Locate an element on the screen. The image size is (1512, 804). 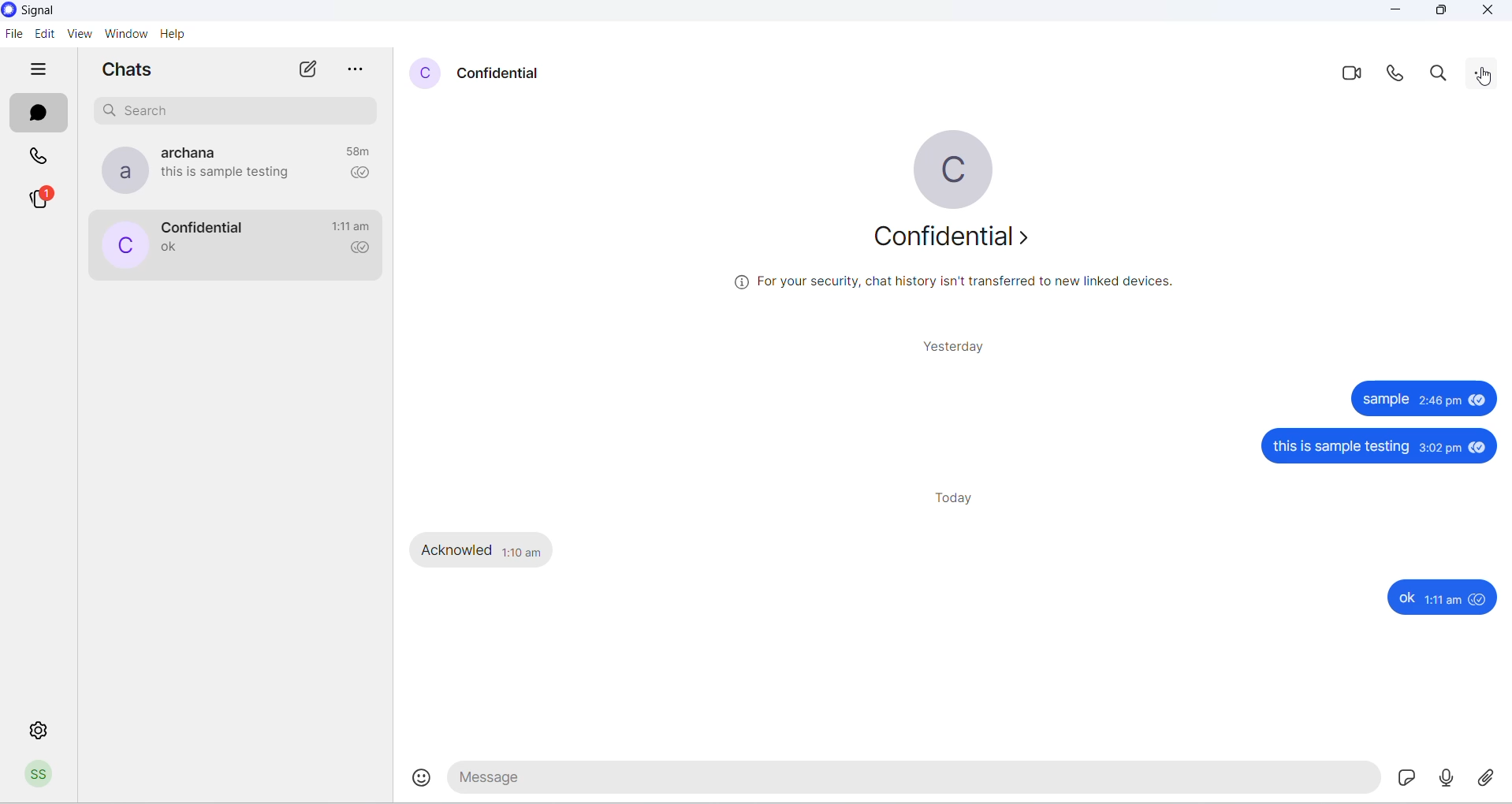
voice call is located at coordinates (1397, 73).